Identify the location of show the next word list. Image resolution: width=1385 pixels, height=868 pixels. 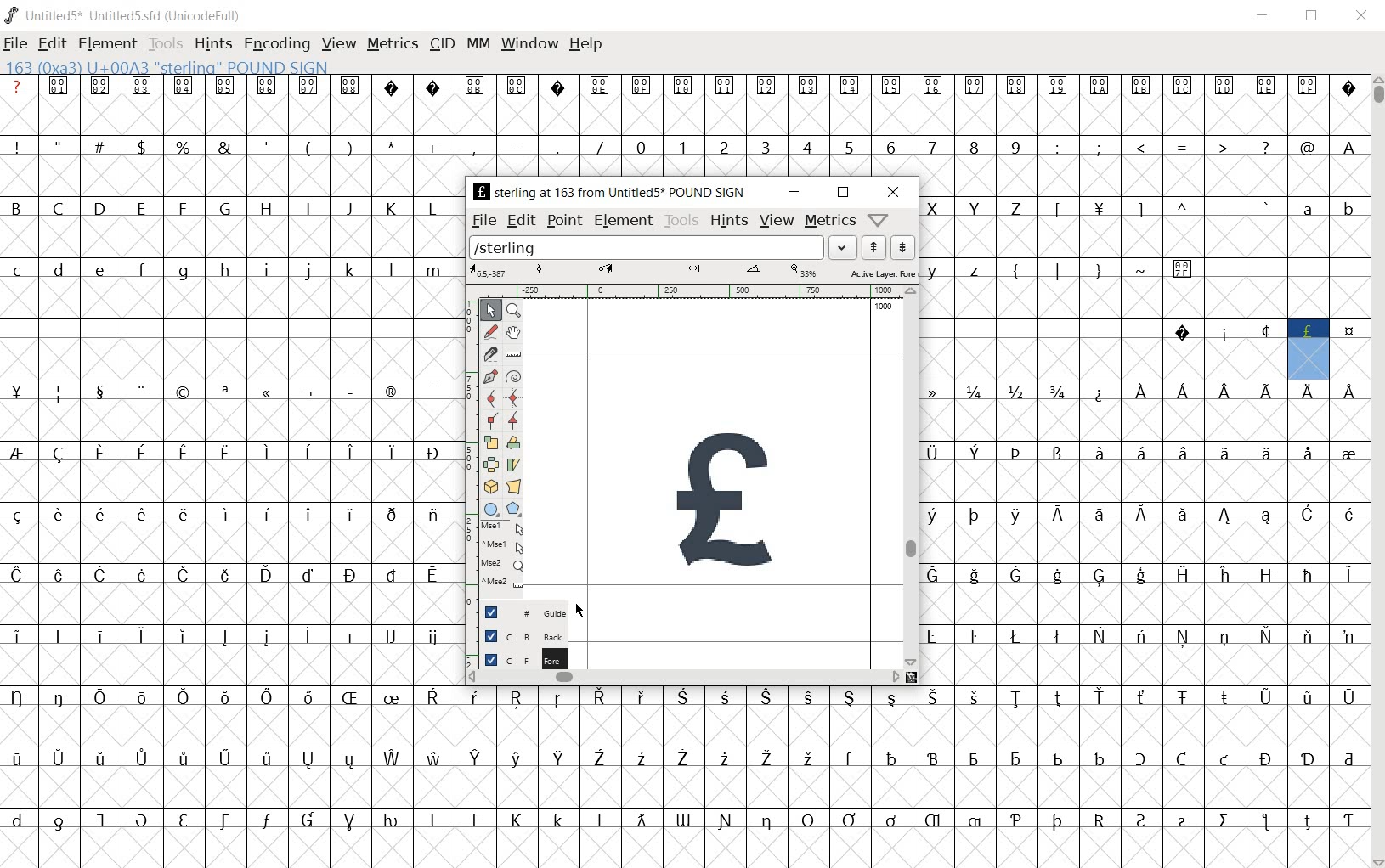
(903, 247).